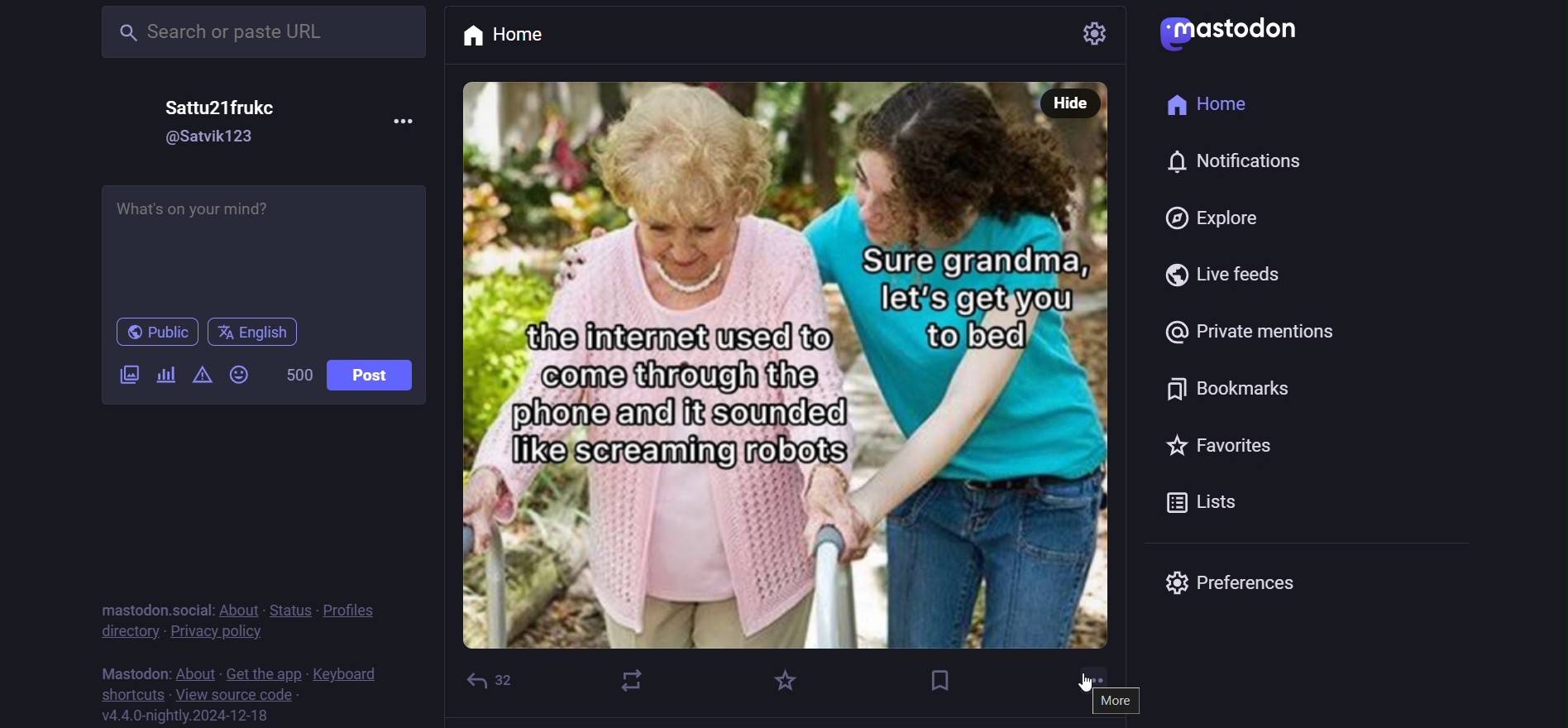  Describe the element at coordinates (1093, 678) in the screenshot. I see `more` at that location.